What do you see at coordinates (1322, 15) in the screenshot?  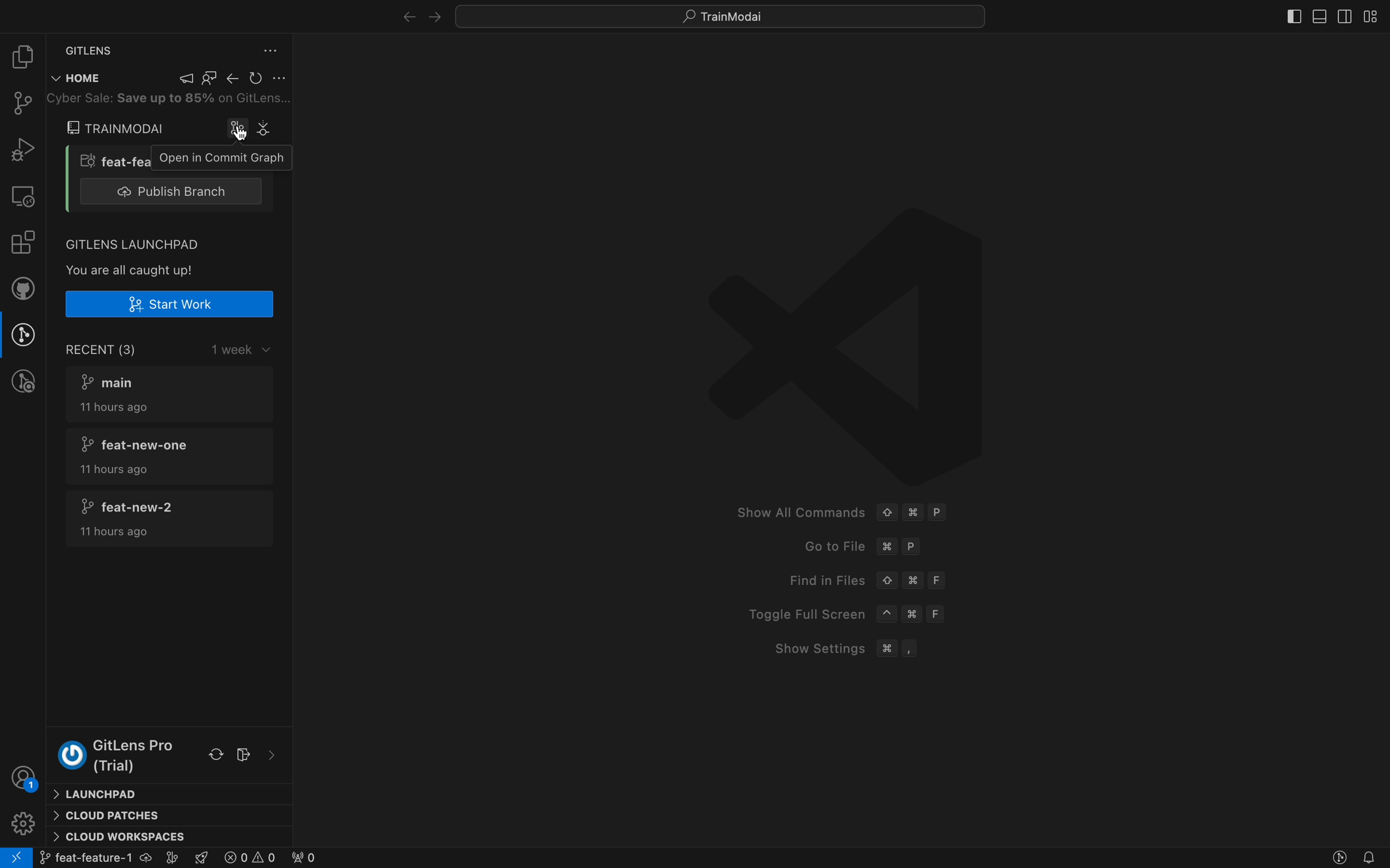 I see `toggle primary bar` at bounding box center [1322, 15].